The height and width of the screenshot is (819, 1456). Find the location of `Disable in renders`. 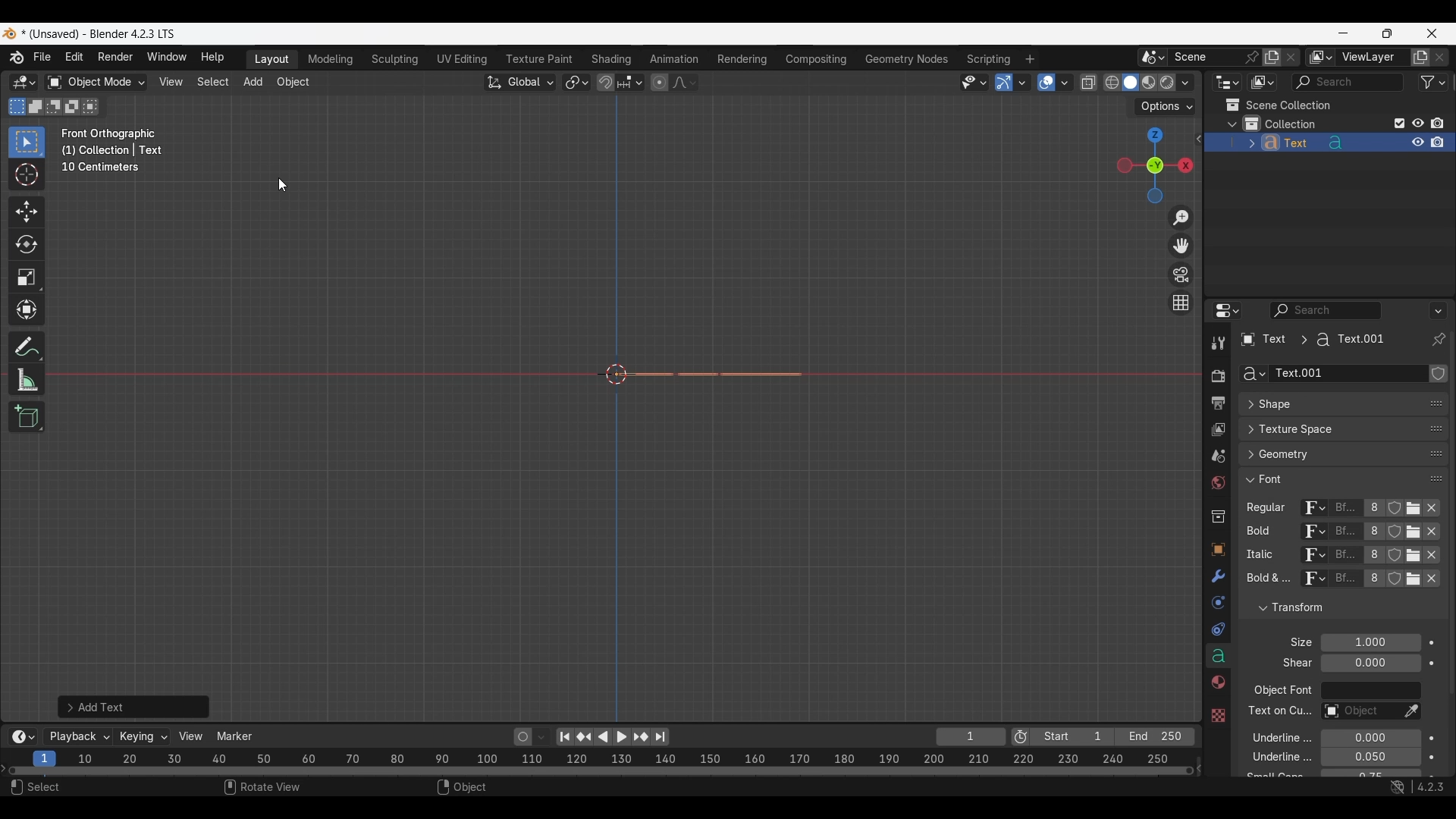

Disable in renders is located at coordinates (1437, 123).